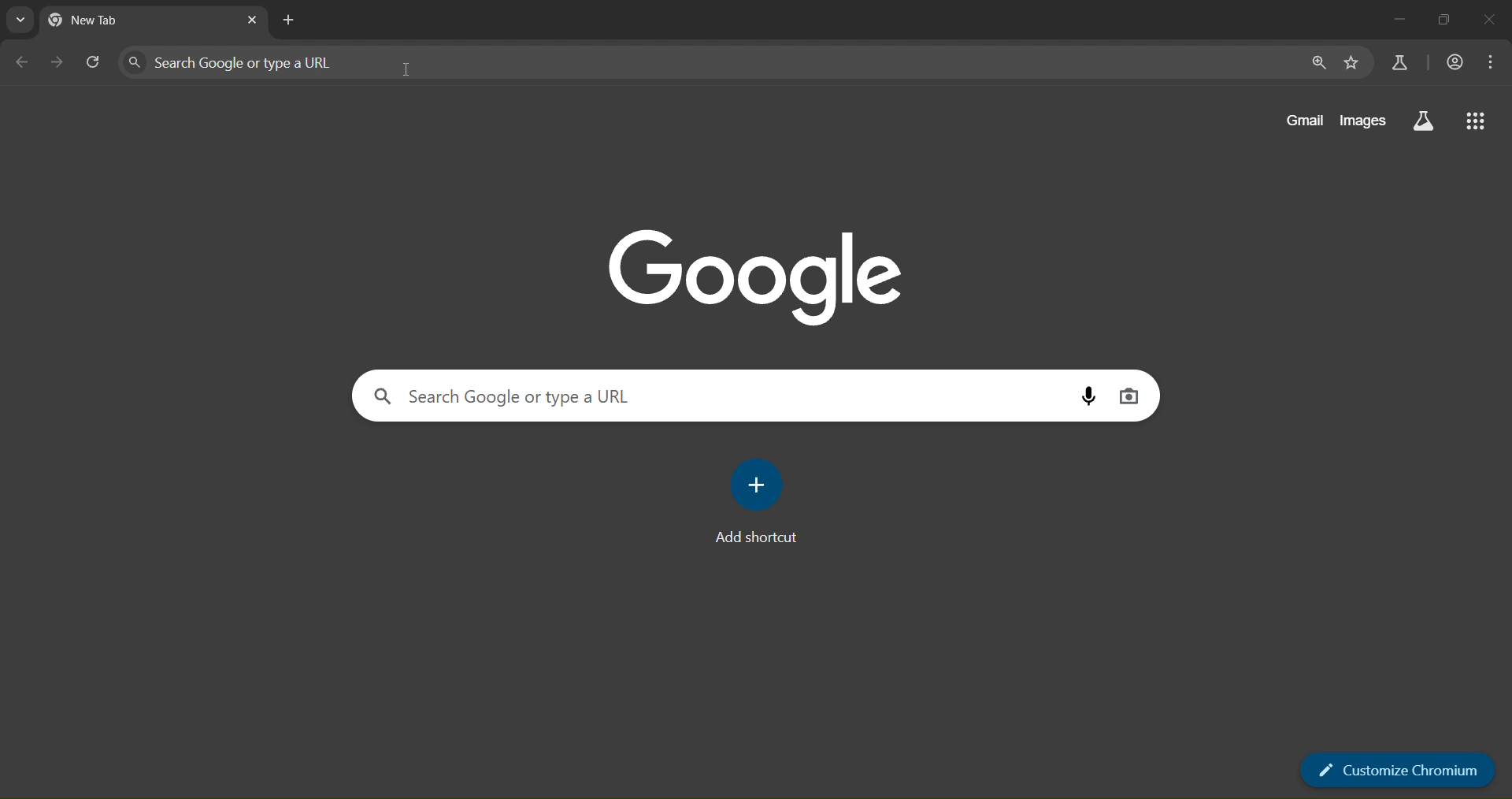  What do you see at coordinates (408, 73) in the screenshot?
I see `cursor` at bounding box center [408, 73].